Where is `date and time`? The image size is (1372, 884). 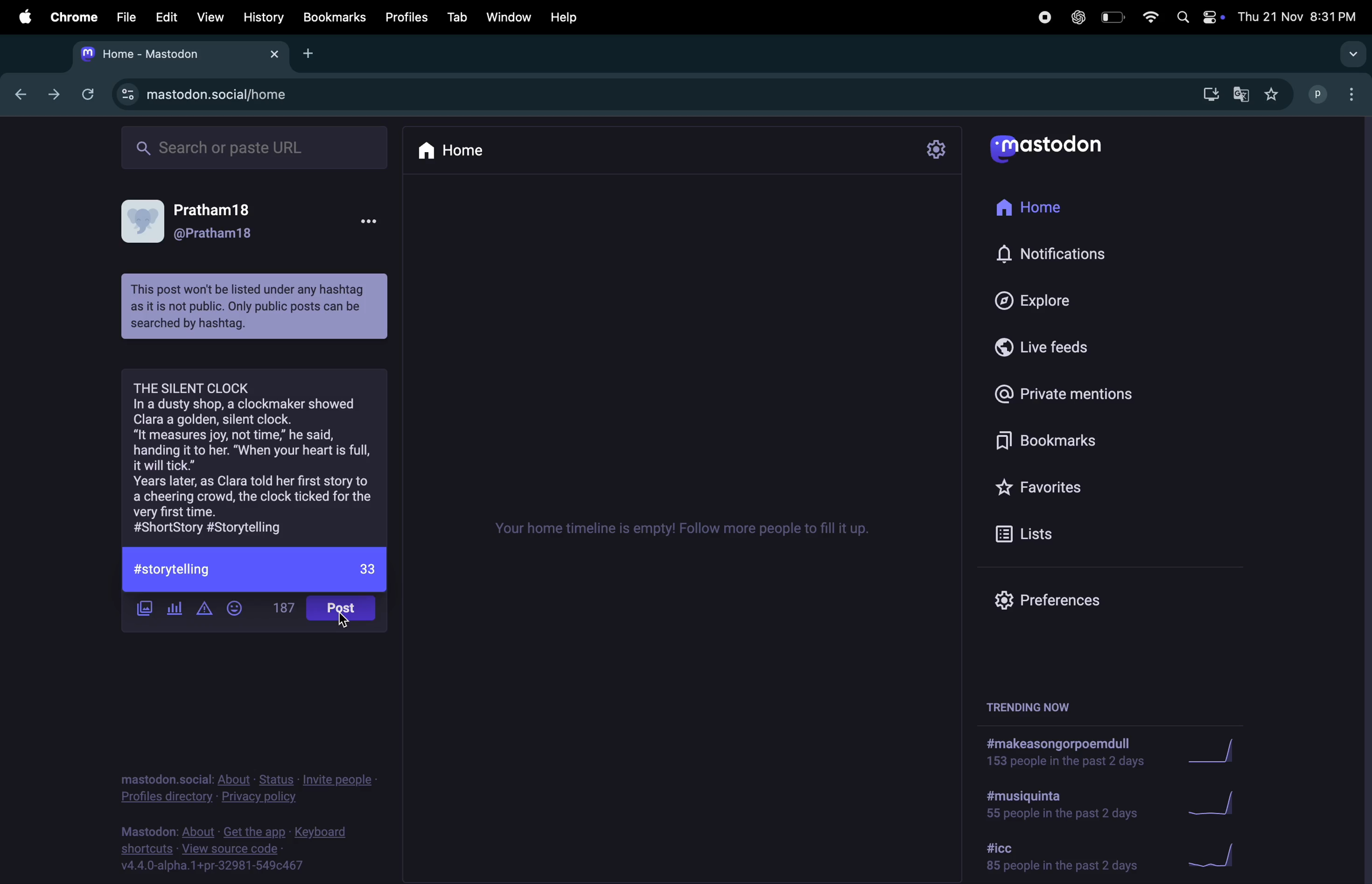
date and time is located at coordinates (1300, 17).